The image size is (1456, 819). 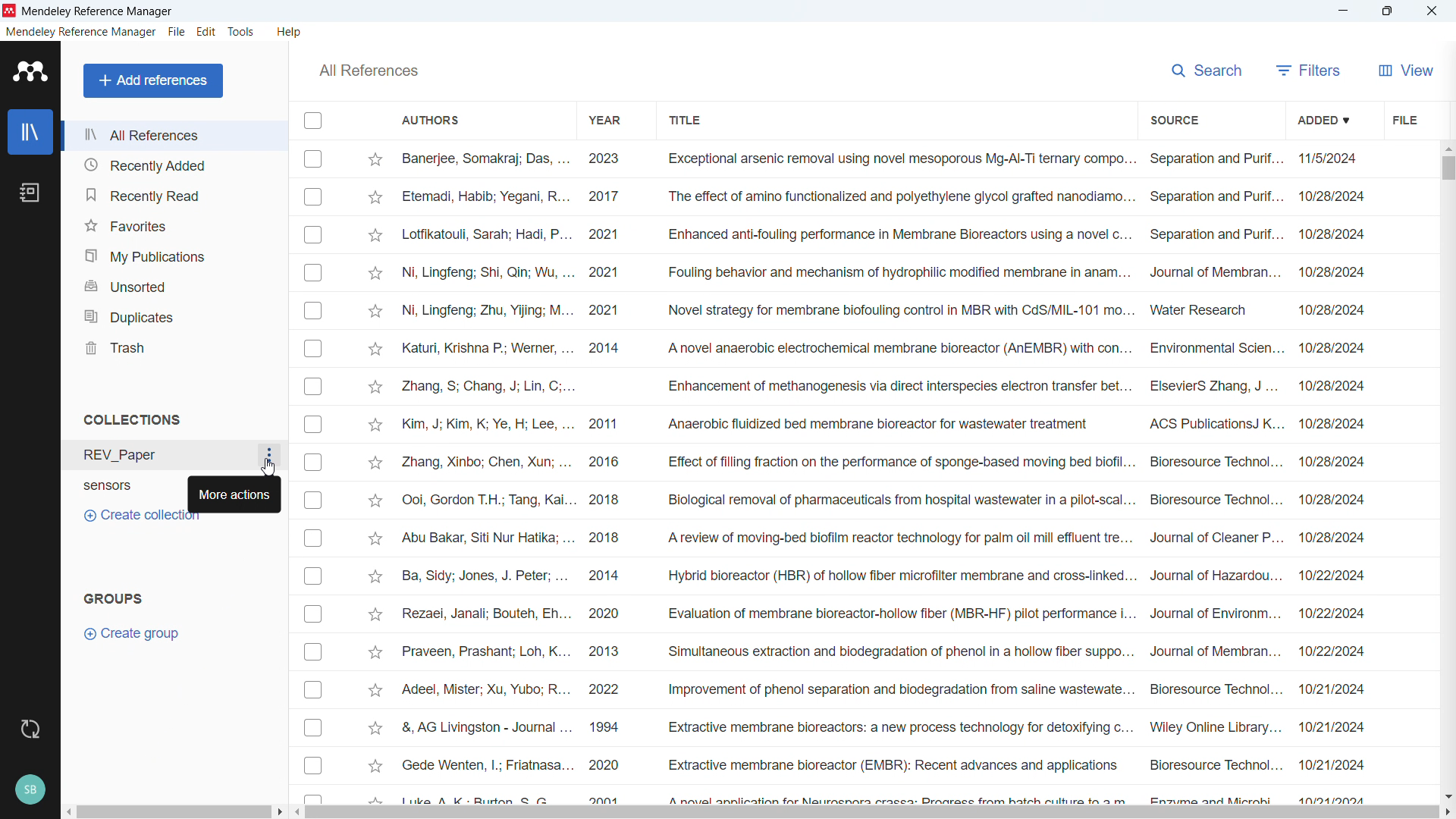 I want to click on Star mark respective publication, so click(x=376, y=274).